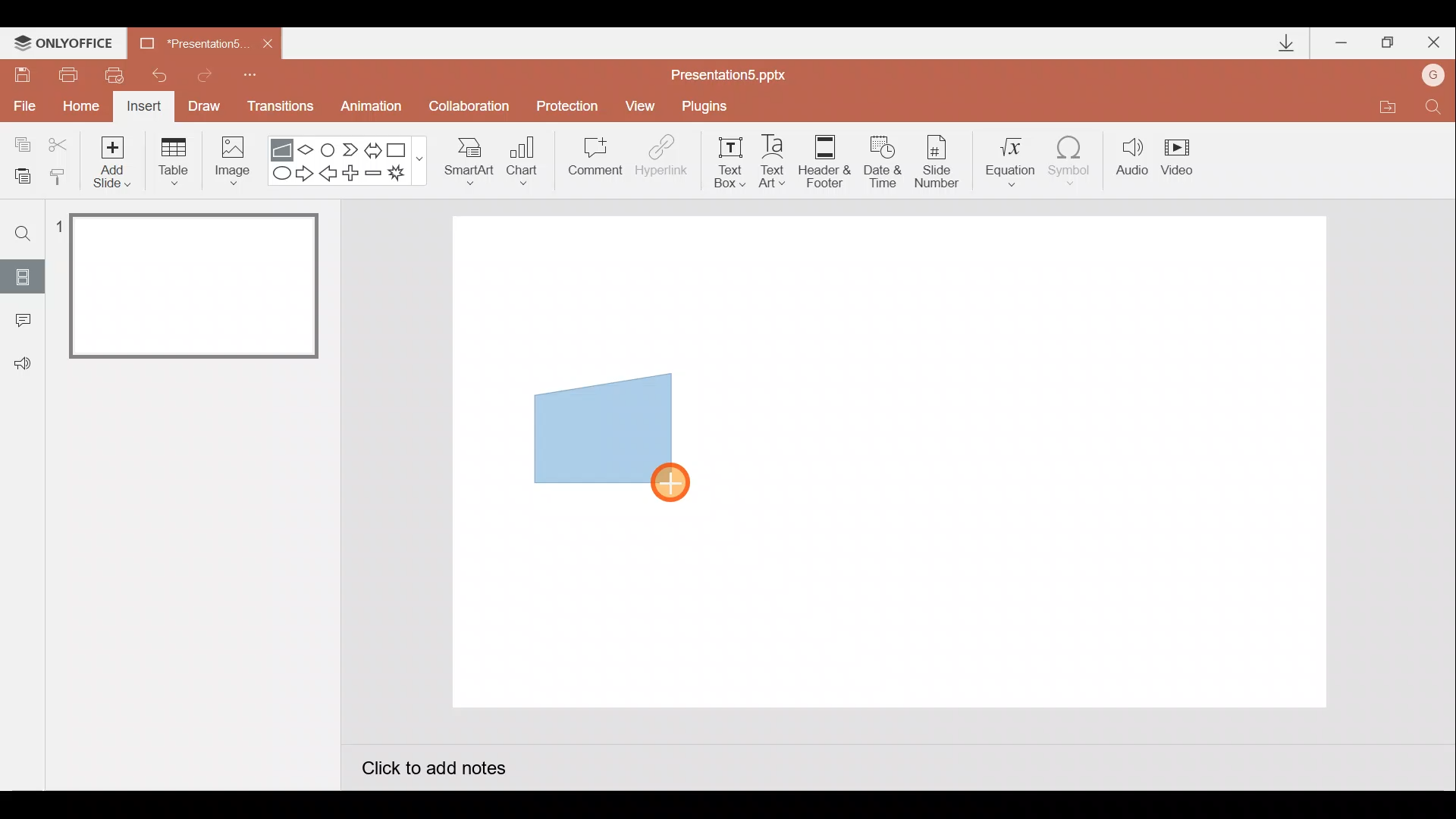 The image size is (1456, 819). What do you see at coordinates (250, 73) in the screenshot?
I see `Customize quick access toolbar` at bounding box center [250, 73].